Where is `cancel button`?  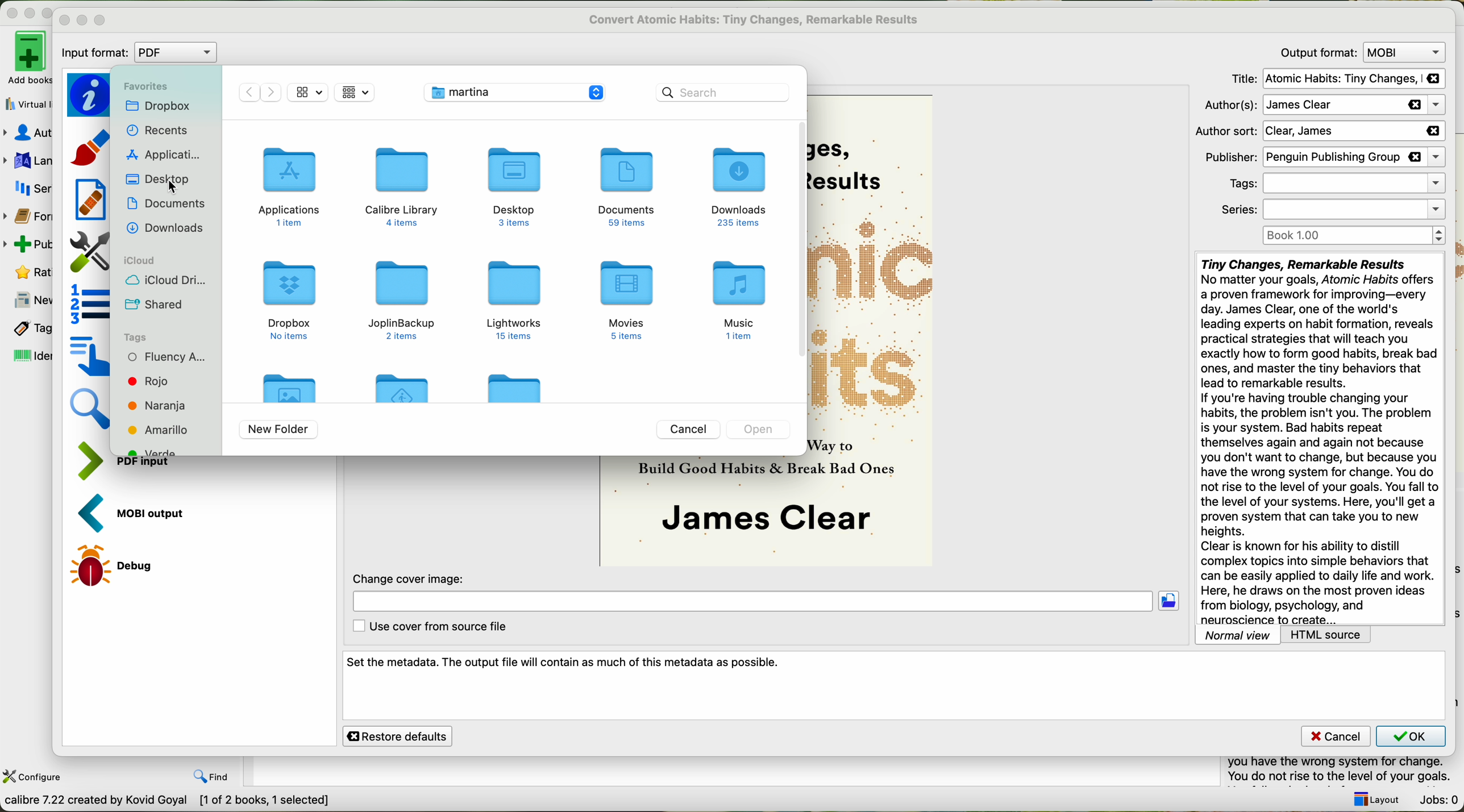 cancel button is located at coordinates (1335, 736).